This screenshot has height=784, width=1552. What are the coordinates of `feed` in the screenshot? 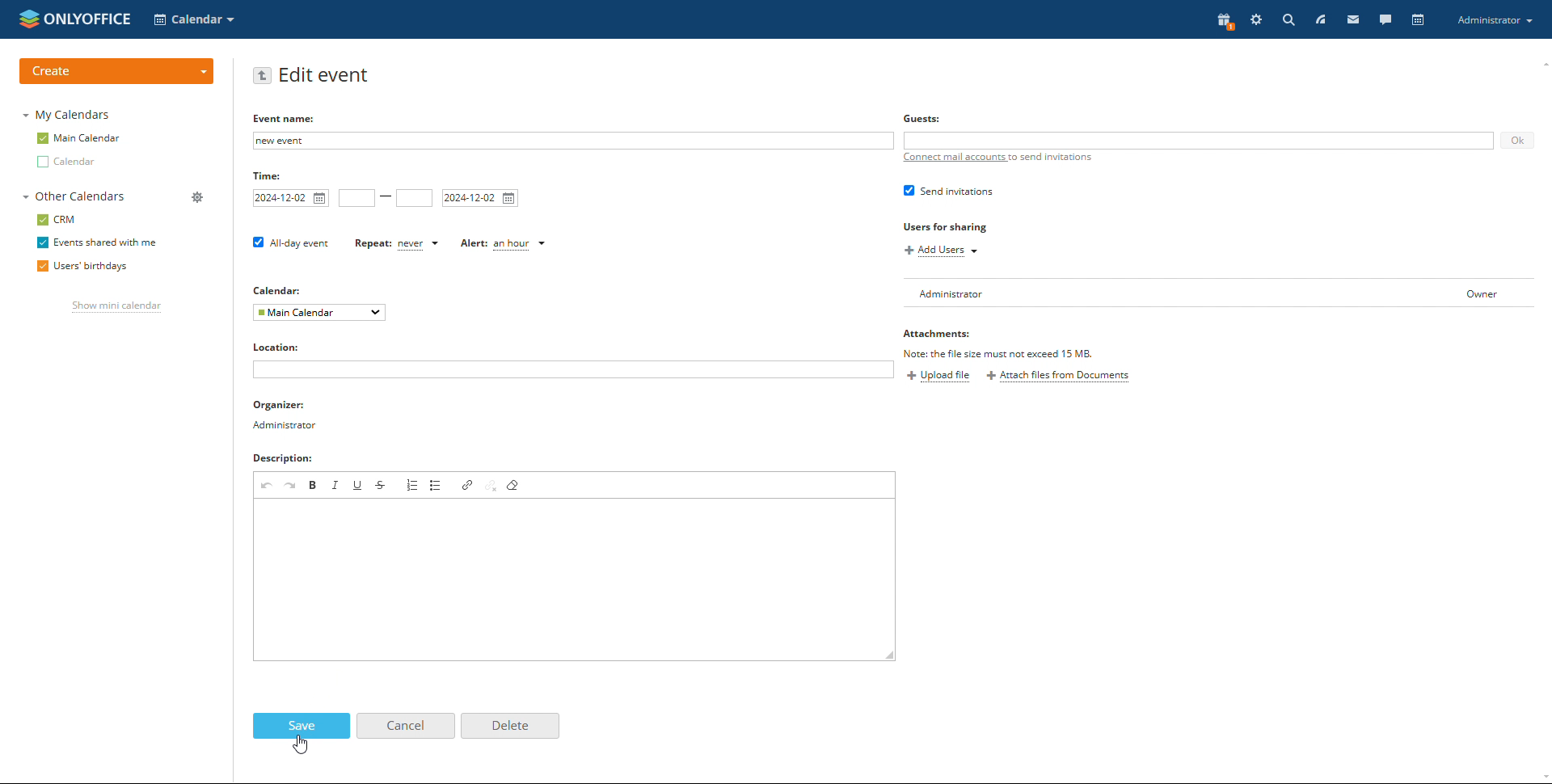 It's located at (1321, 21).